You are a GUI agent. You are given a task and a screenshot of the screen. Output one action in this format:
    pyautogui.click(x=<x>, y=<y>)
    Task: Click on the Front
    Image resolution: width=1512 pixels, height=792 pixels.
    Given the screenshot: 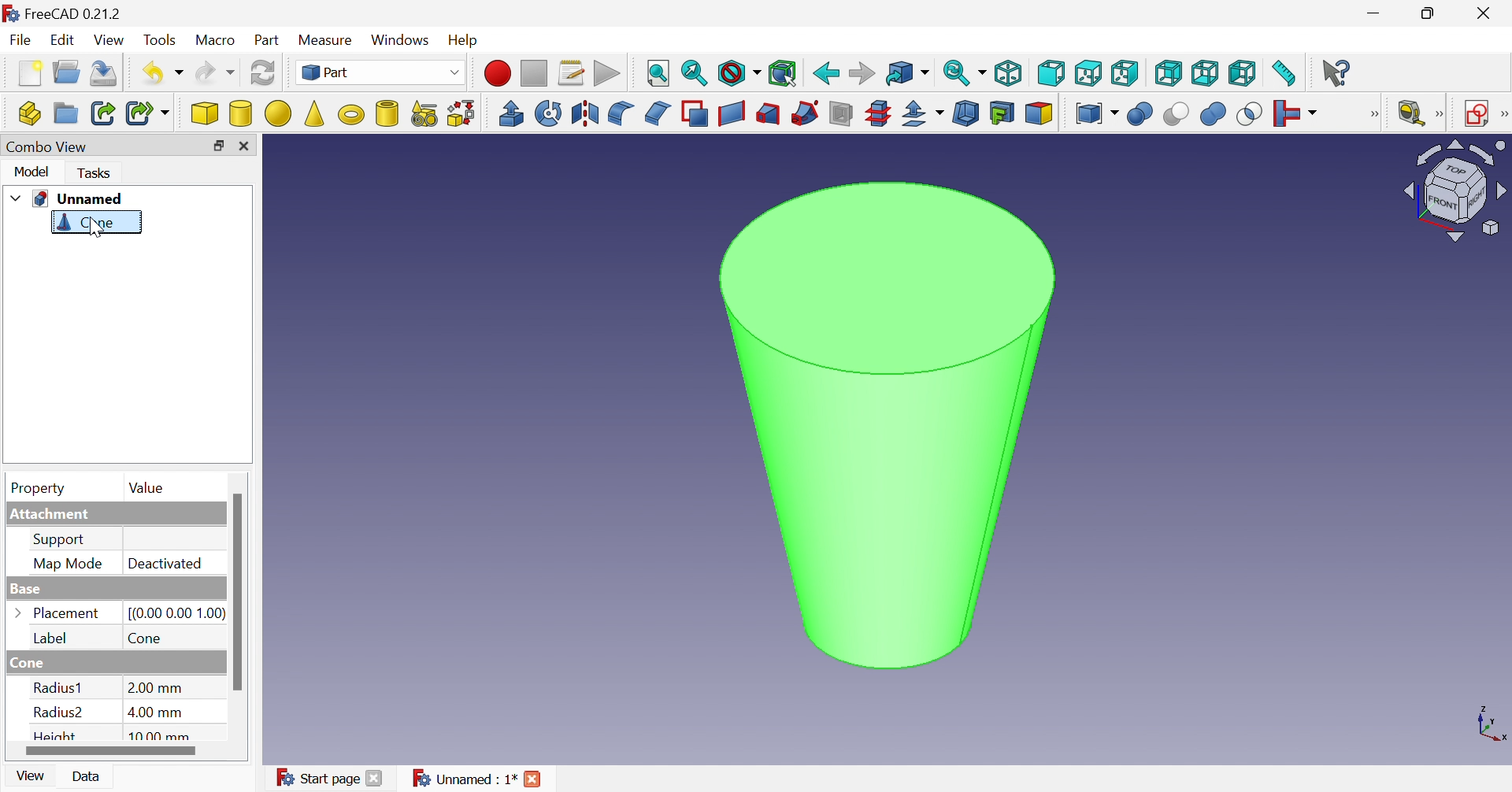 What is the action you would take?
    pyautogui.click(x=1051, y=72)
    